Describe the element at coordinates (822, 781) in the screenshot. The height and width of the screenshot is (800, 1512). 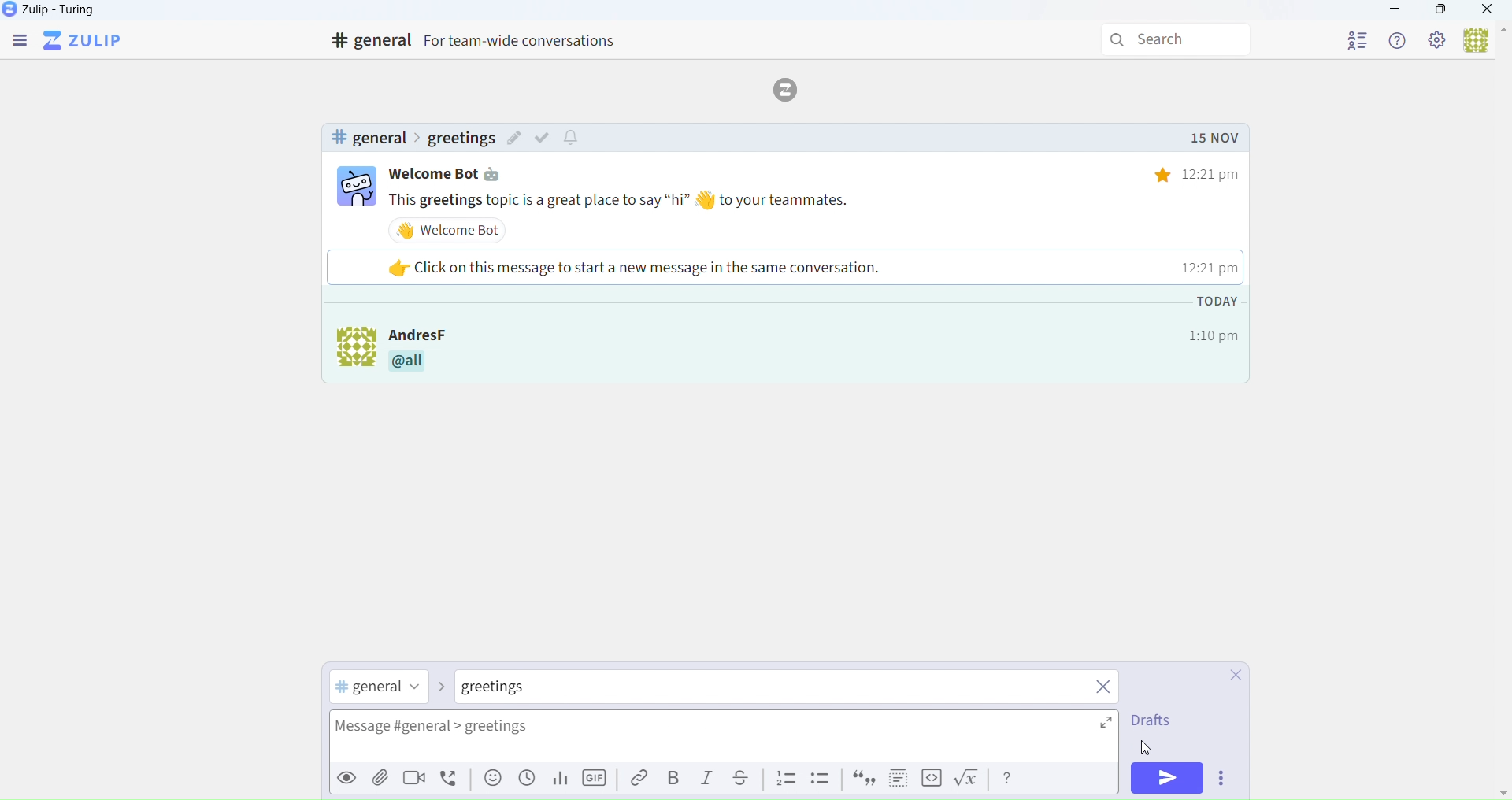
I see `Snipet` at that location.